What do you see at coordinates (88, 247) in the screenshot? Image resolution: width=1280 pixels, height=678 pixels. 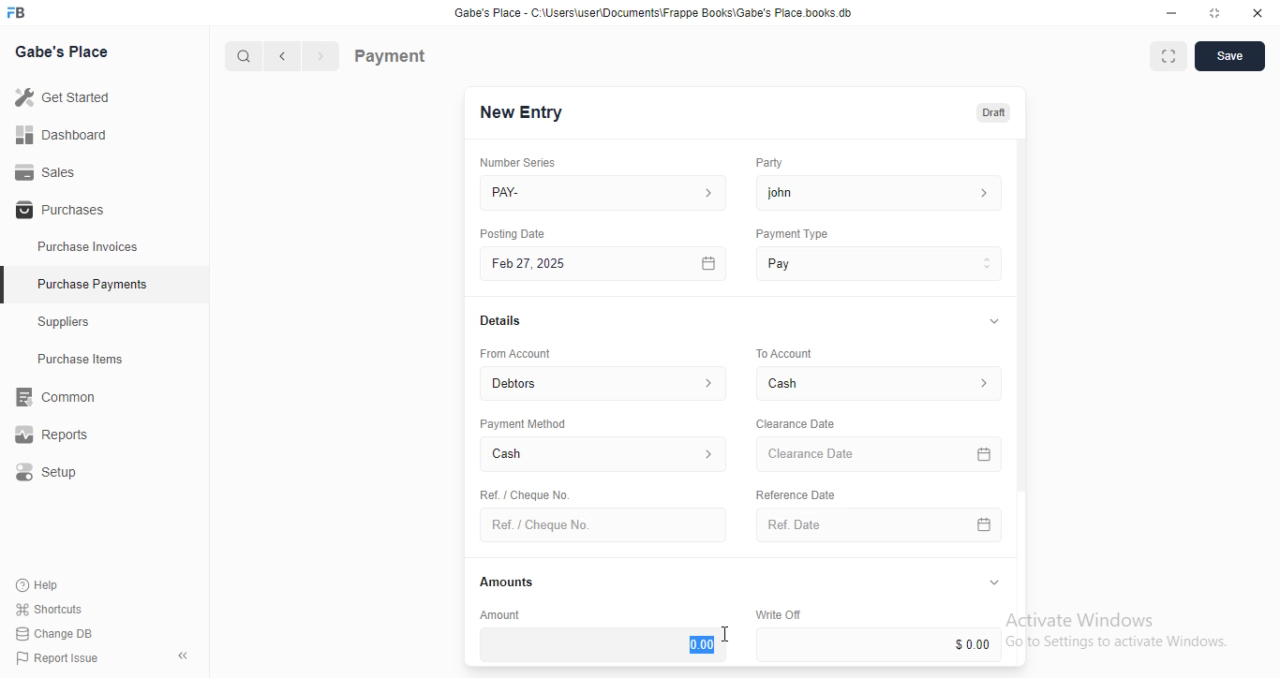 I see `Purchase Invoices` at bounding box center [88, 247].